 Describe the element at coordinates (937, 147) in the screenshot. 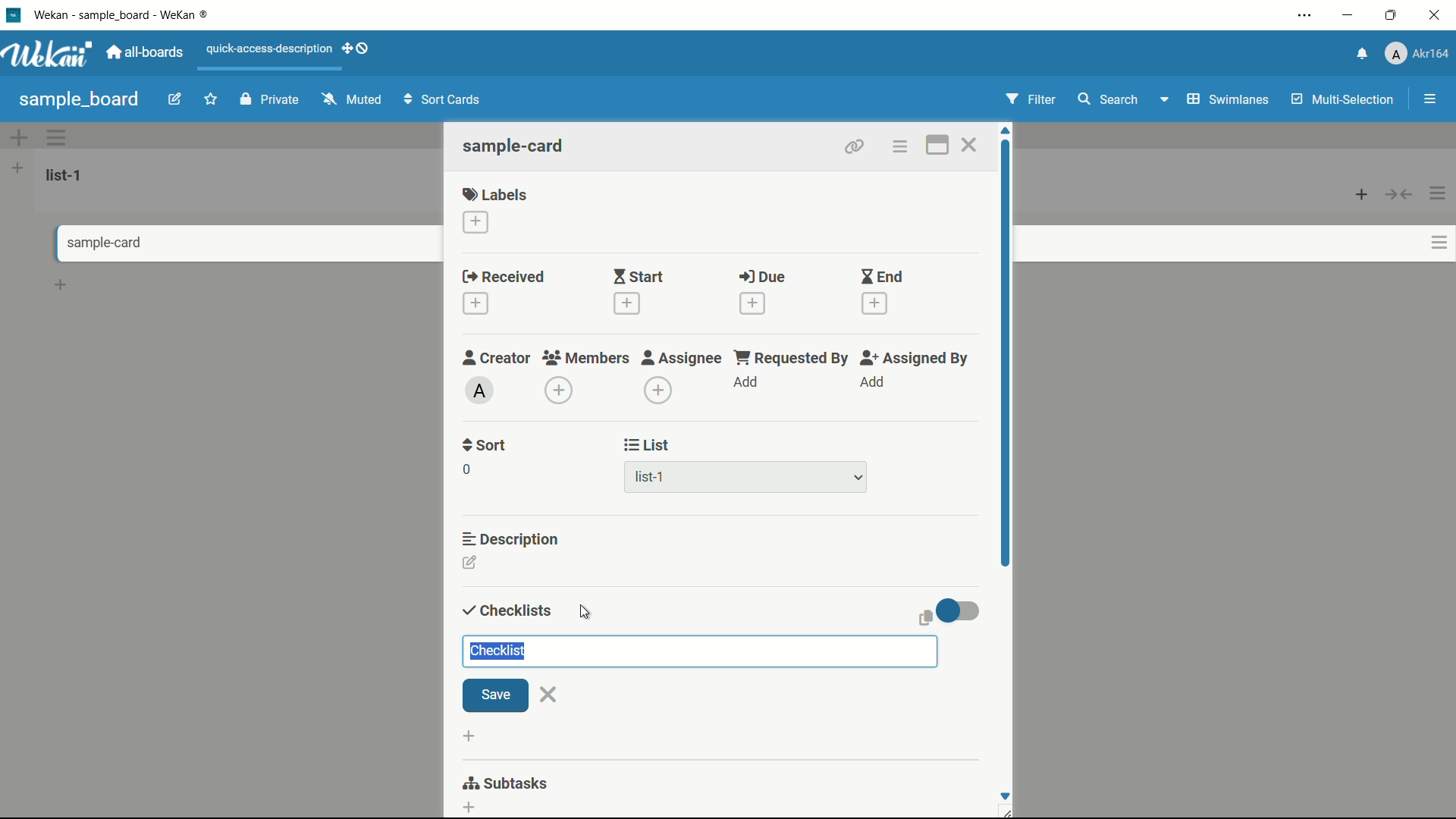

I see `maximize card` at that location.